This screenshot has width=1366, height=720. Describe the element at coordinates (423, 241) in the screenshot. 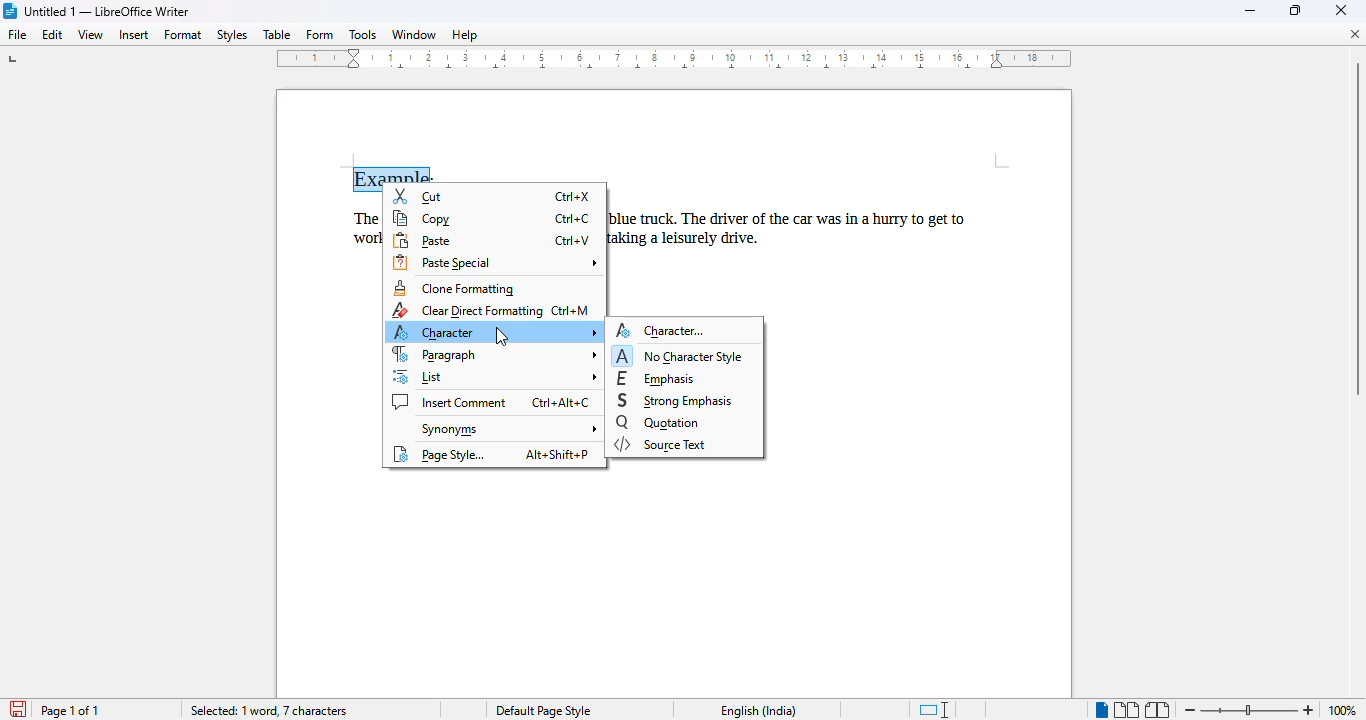

I see `paste` at that location.